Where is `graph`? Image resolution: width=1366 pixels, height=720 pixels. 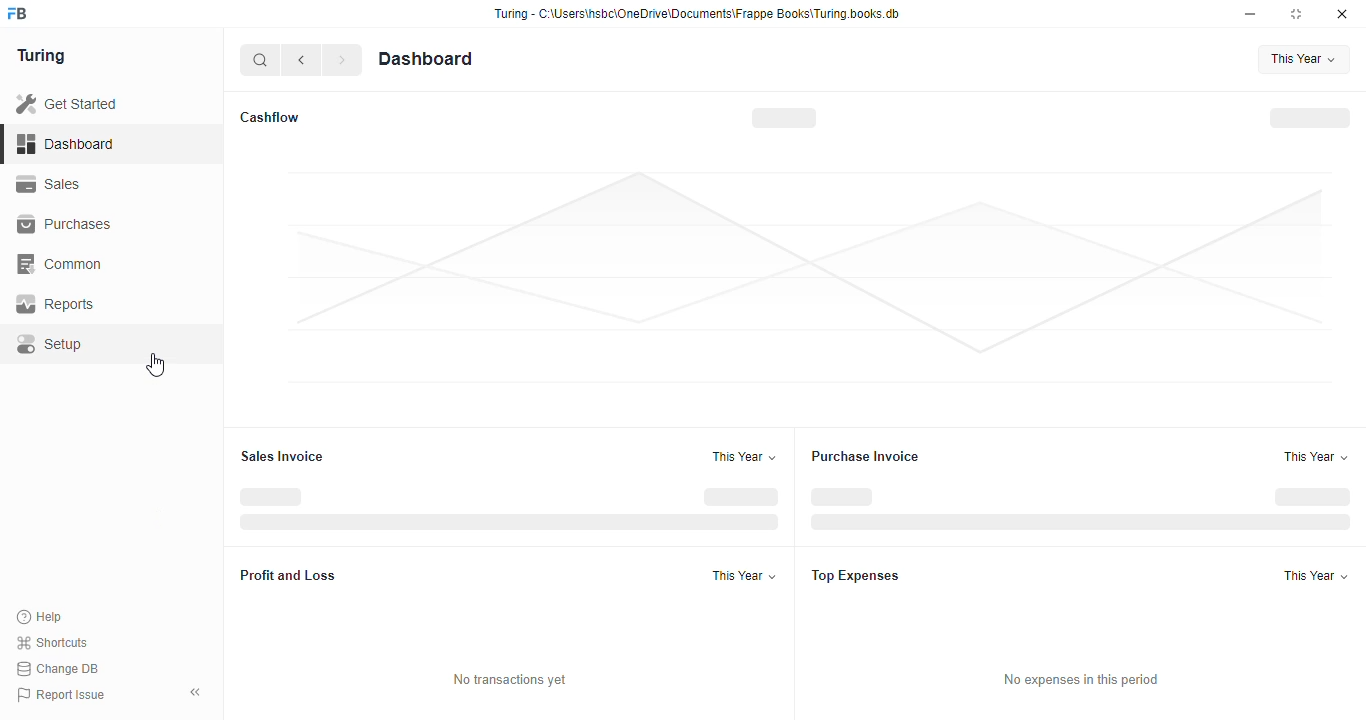
graph is located at coordinates (808, 276).